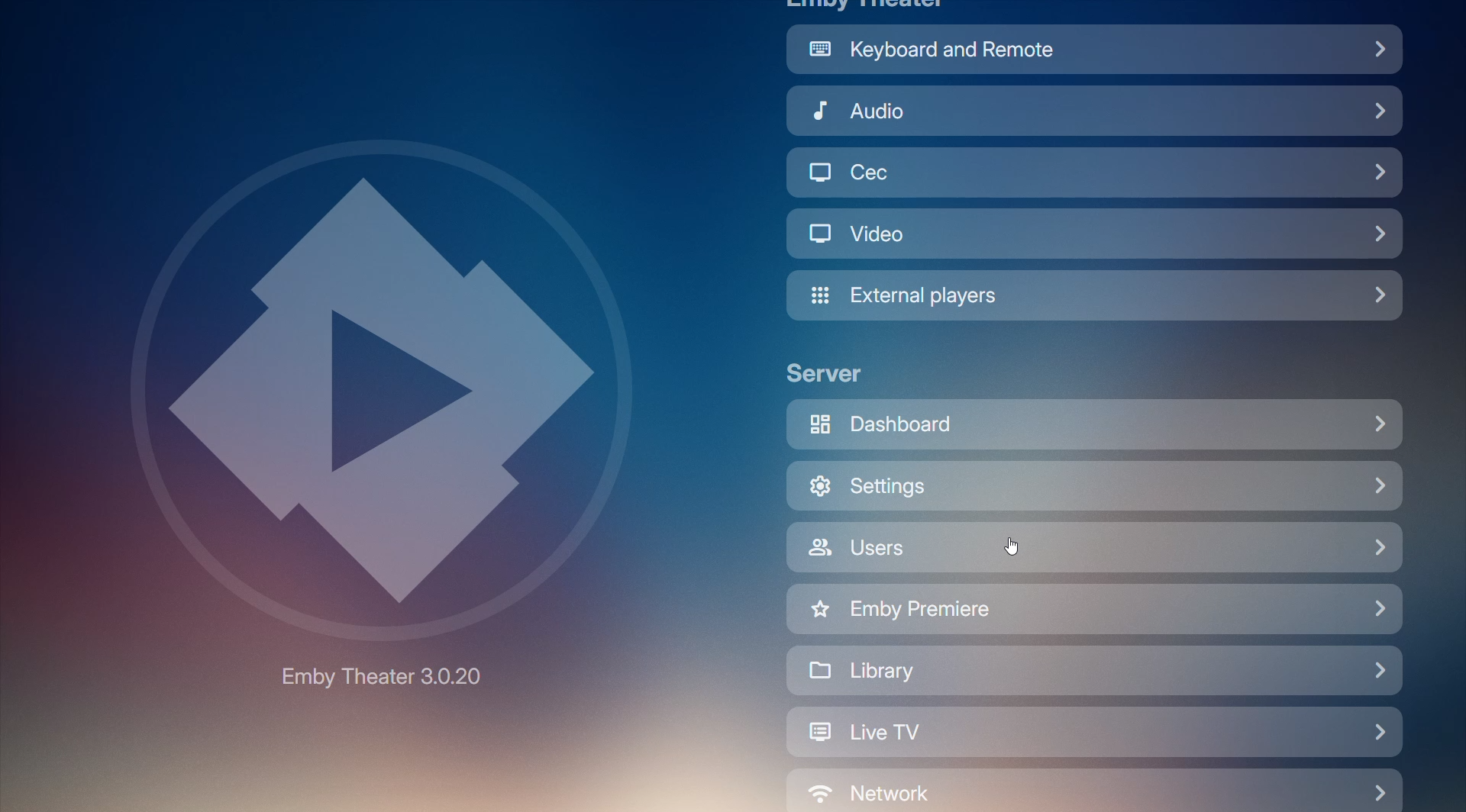 The image size is (1466, 812). What do you see at coordinates (392, 681) in the screenshot?
I see `Emby Theater` at bounding box center [392, 681].